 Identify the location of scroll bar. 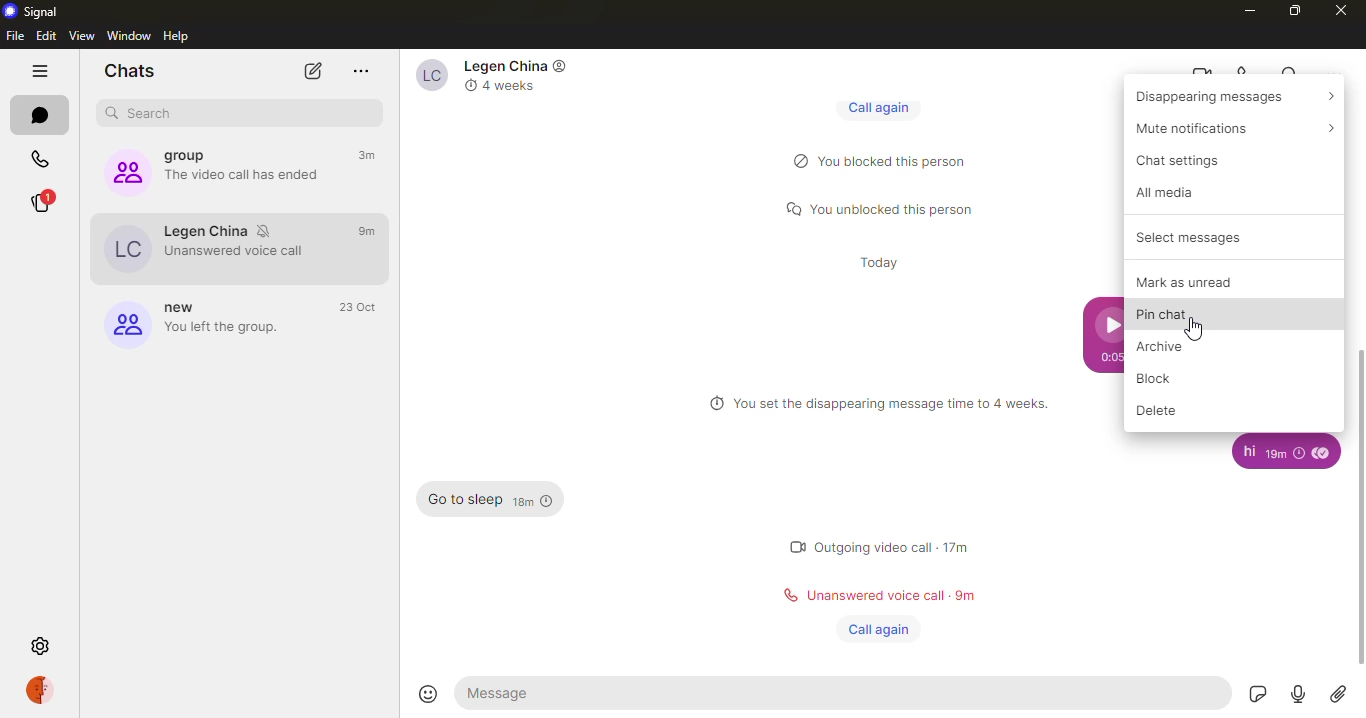
(1359, 513).